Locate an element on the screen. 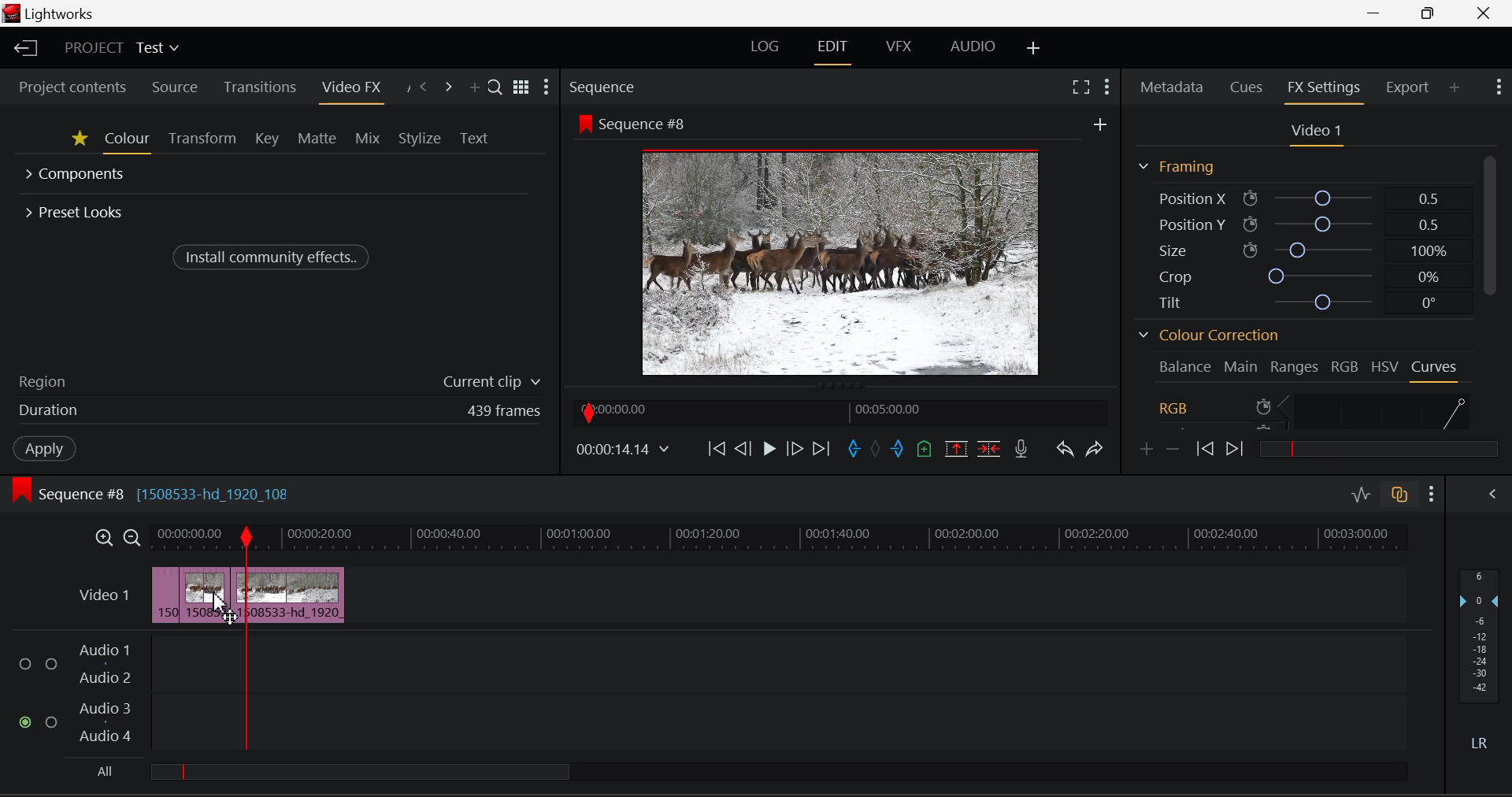 The height and width of the screenshot is (797, 1512). Position Y is located at coordinates (1300, 223).